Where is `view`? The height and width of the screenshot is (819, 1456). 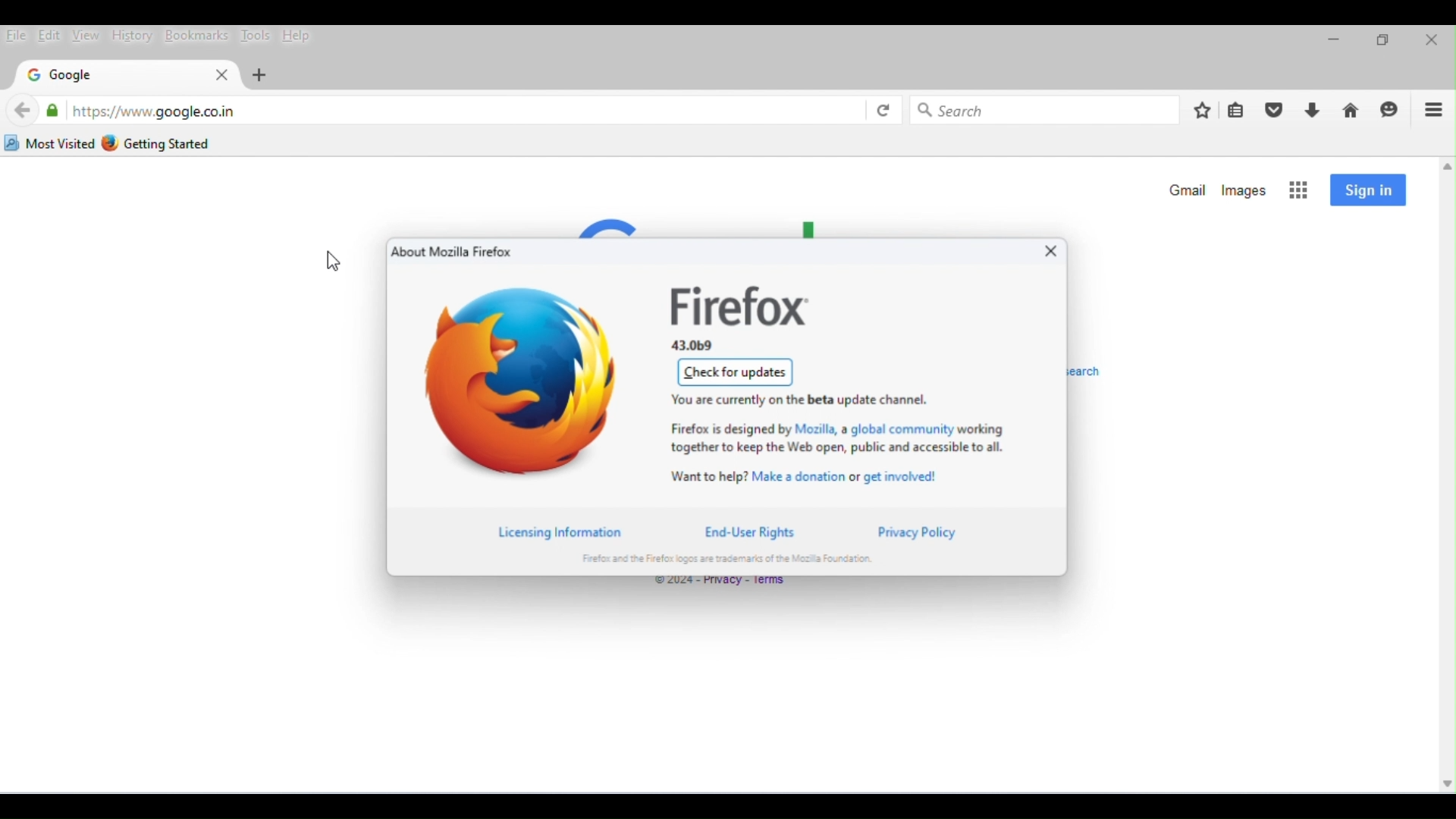
view is located at coordinates (85, 36).